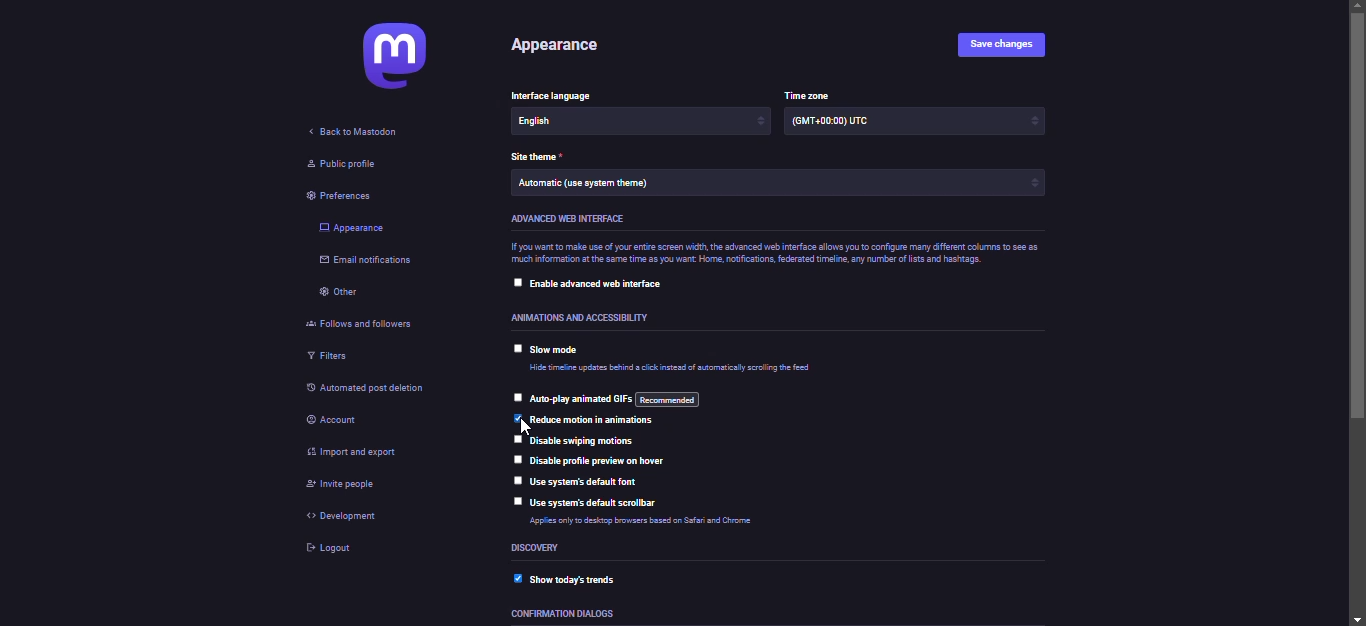 This screenshot has width=1366, height=626. Describe the element at coordinates (558, 615) in the screenshot. I see `dialoges` at that location.